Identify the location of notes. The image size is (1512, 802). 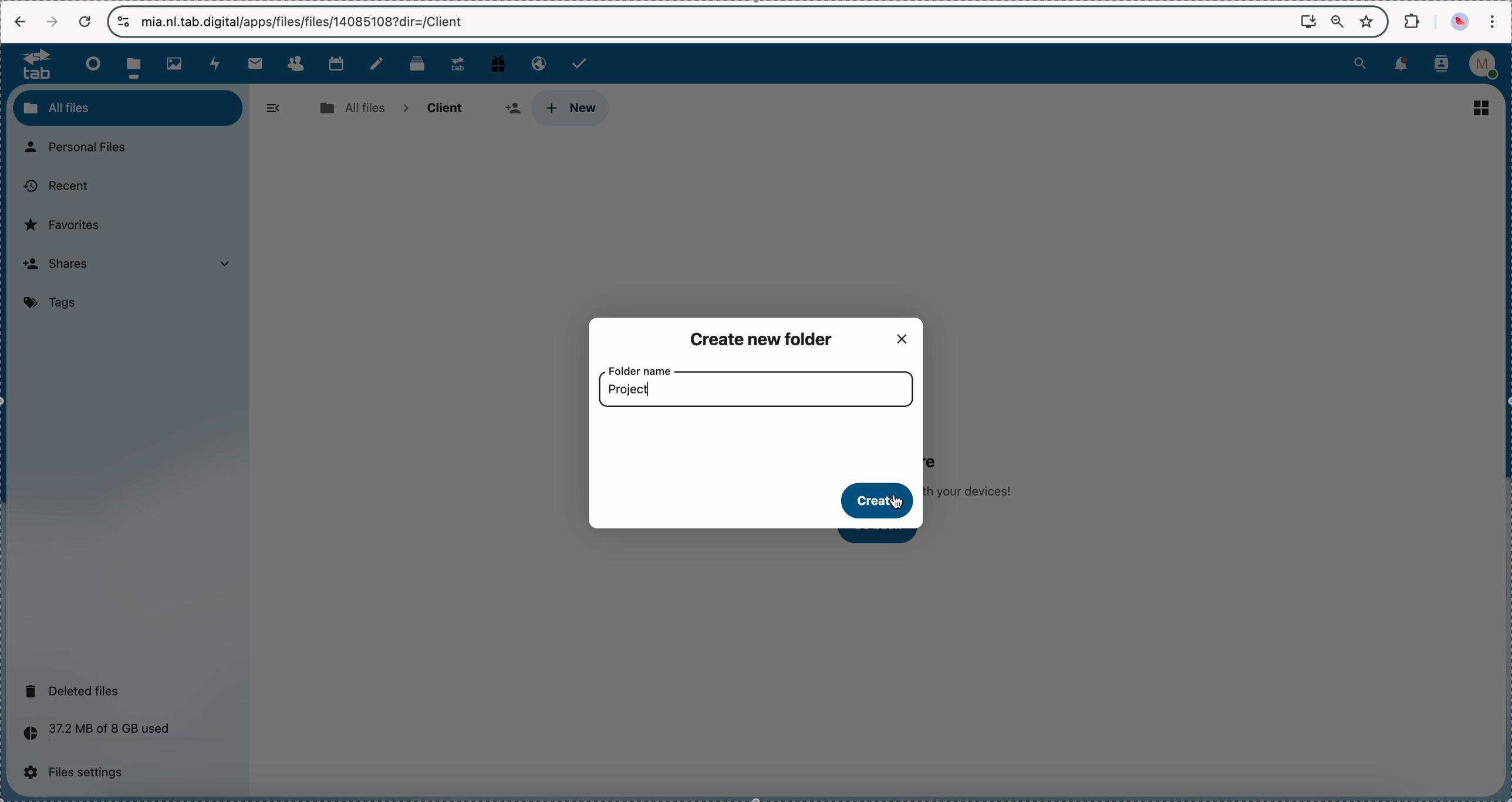
(379, 64).